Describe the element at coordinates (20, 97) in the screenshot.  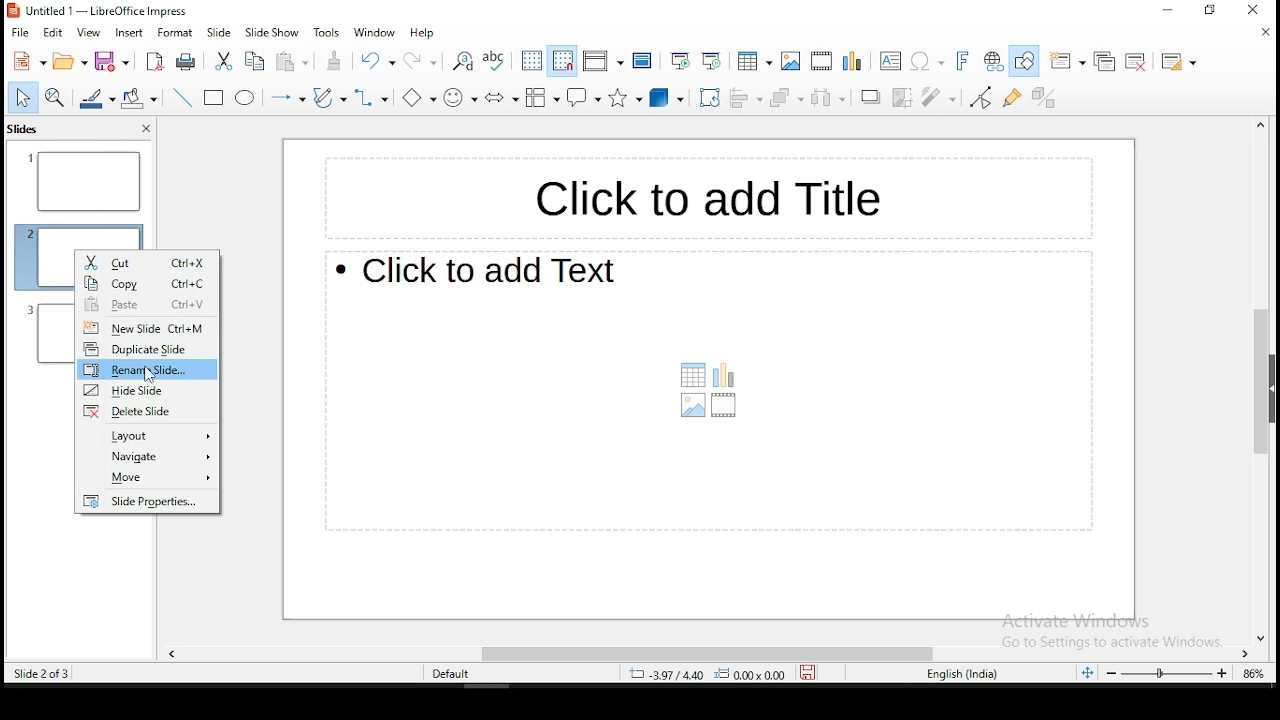
I see `select tool` at that location.